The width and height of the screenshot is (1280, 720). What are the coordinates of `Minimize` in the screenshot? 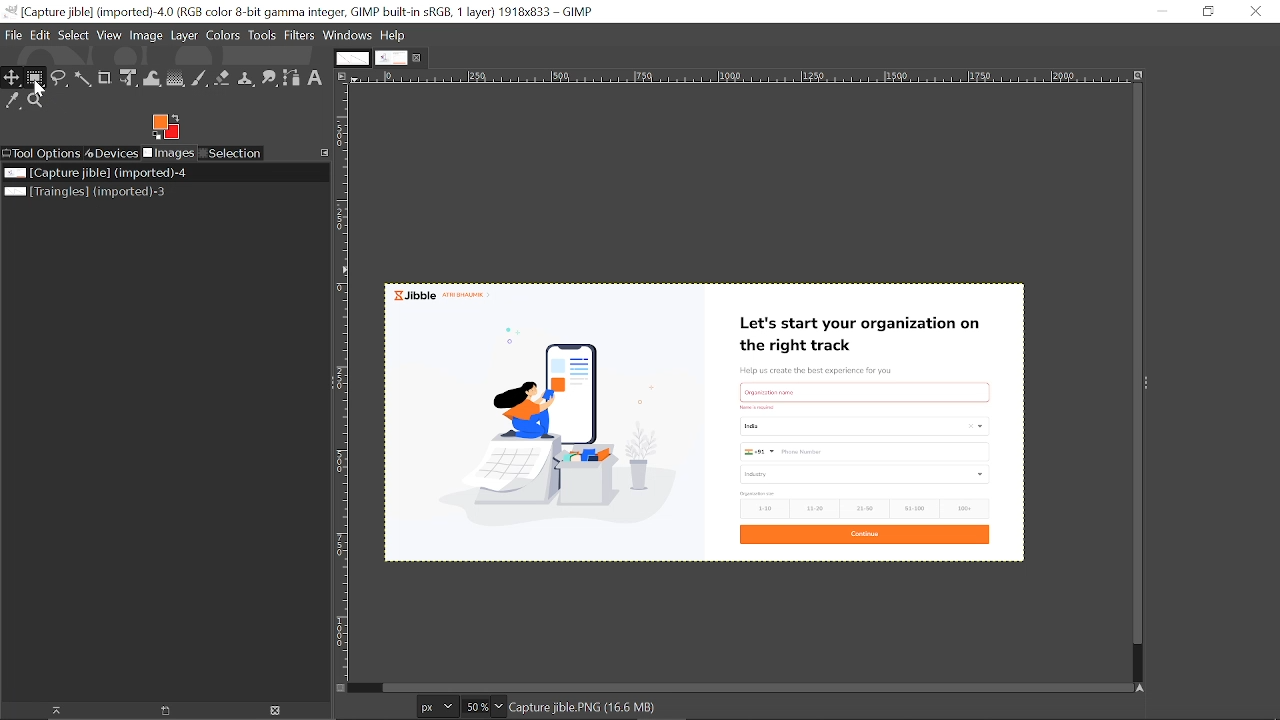 It's located at (1163, 12).